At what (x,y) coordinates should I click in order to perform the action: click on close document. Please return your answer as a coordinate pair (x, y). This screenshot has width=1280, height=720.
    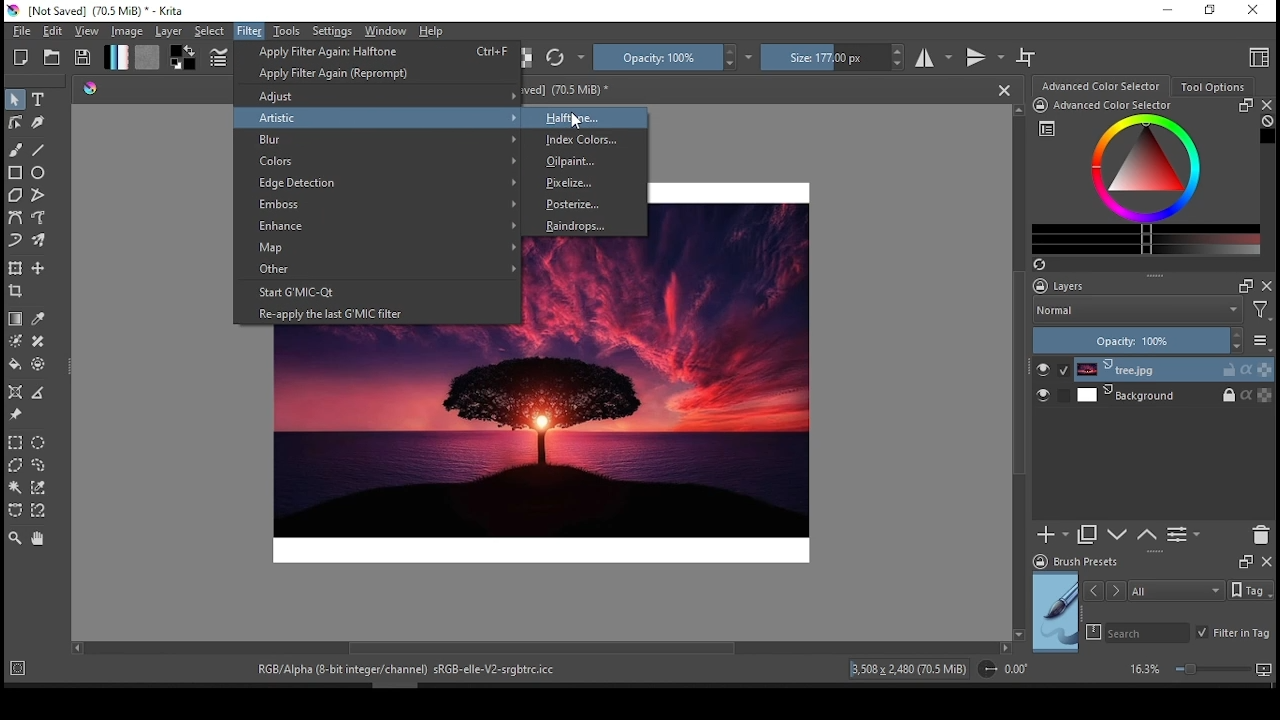
    Looking at the image, I should click on (1005, 89).